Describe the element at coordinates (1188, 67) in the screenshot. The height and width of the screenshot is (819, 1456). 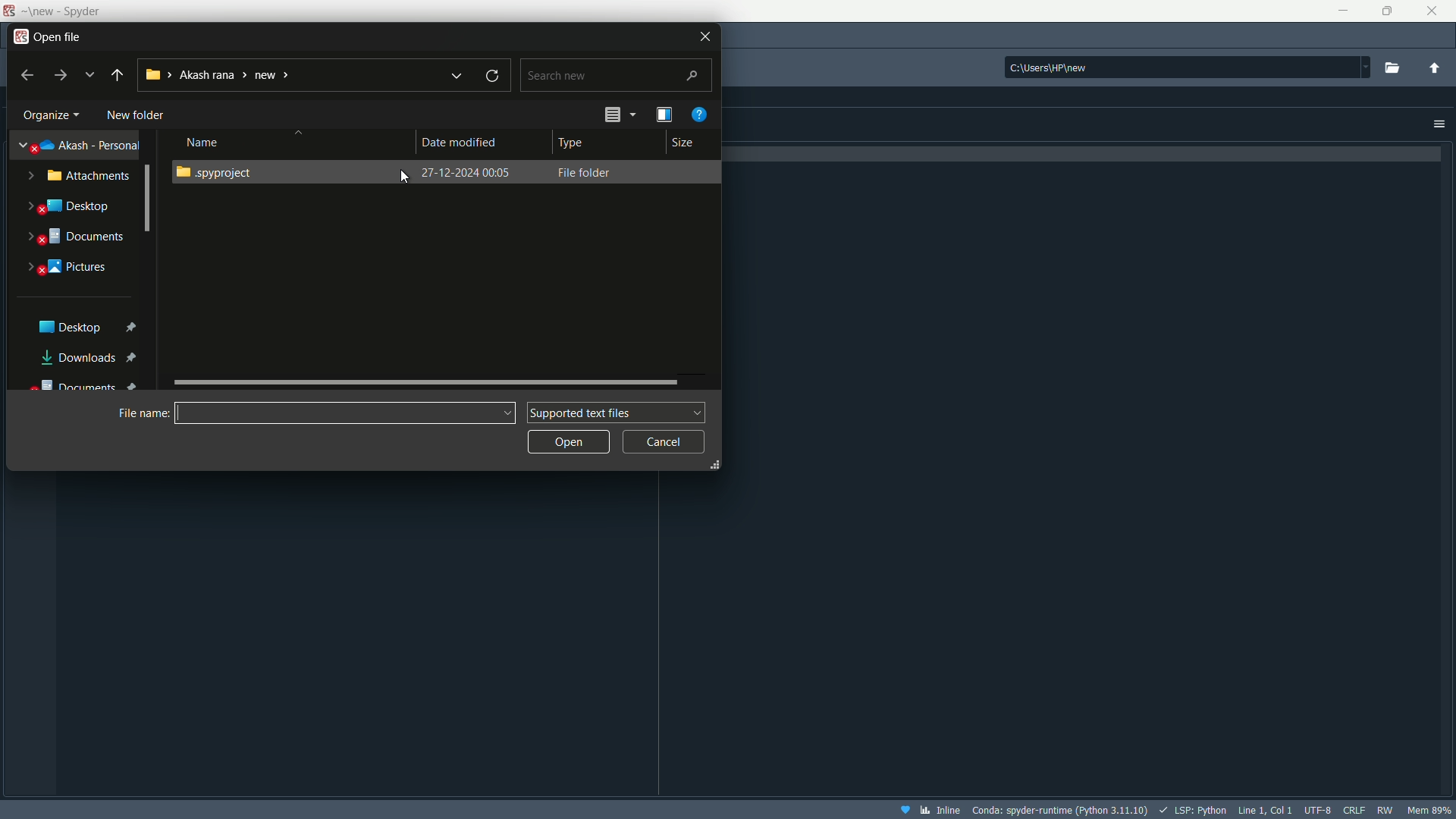
I see `directory` at that location.